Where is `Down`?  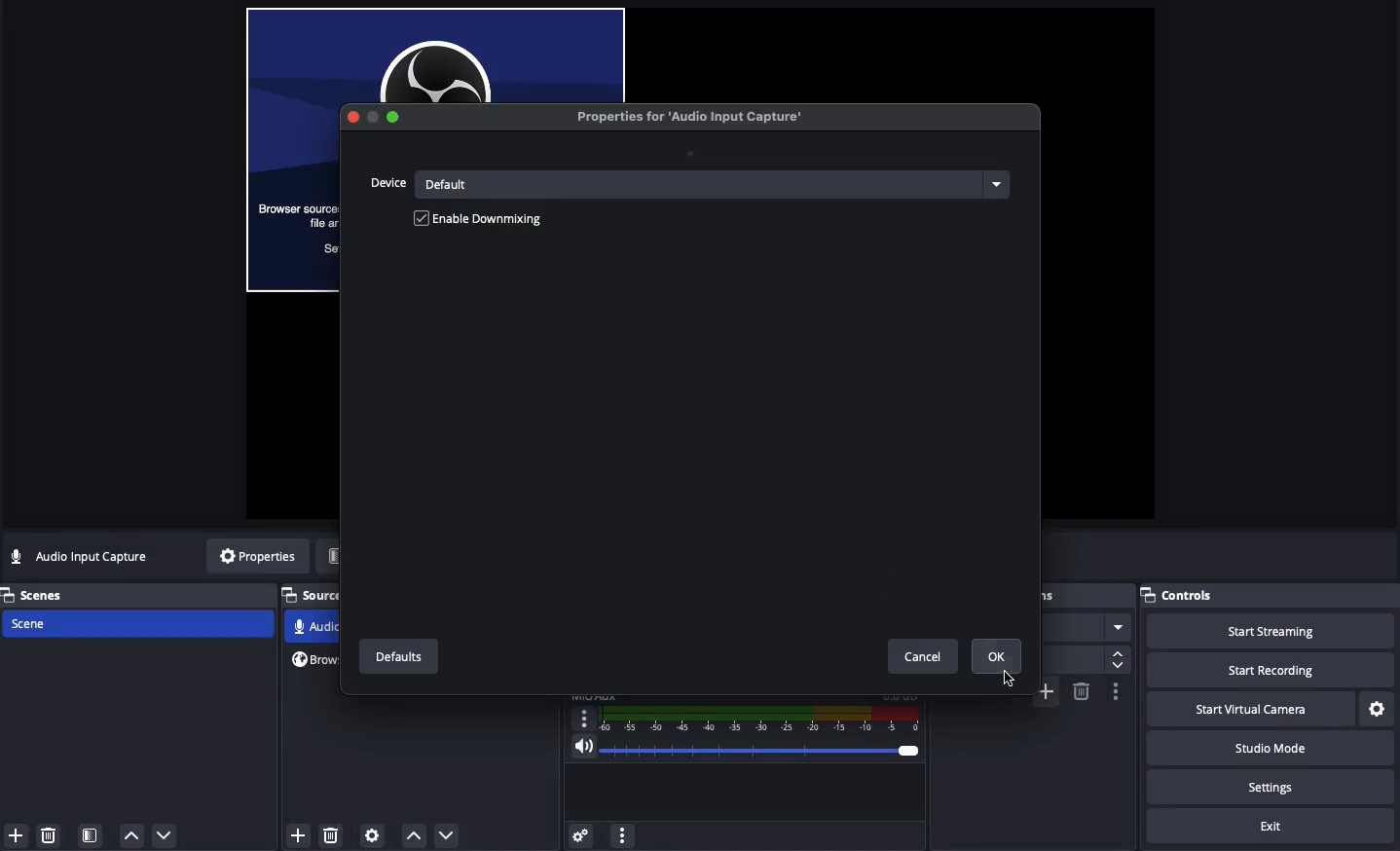
Down is located at coordinates (166, 834).